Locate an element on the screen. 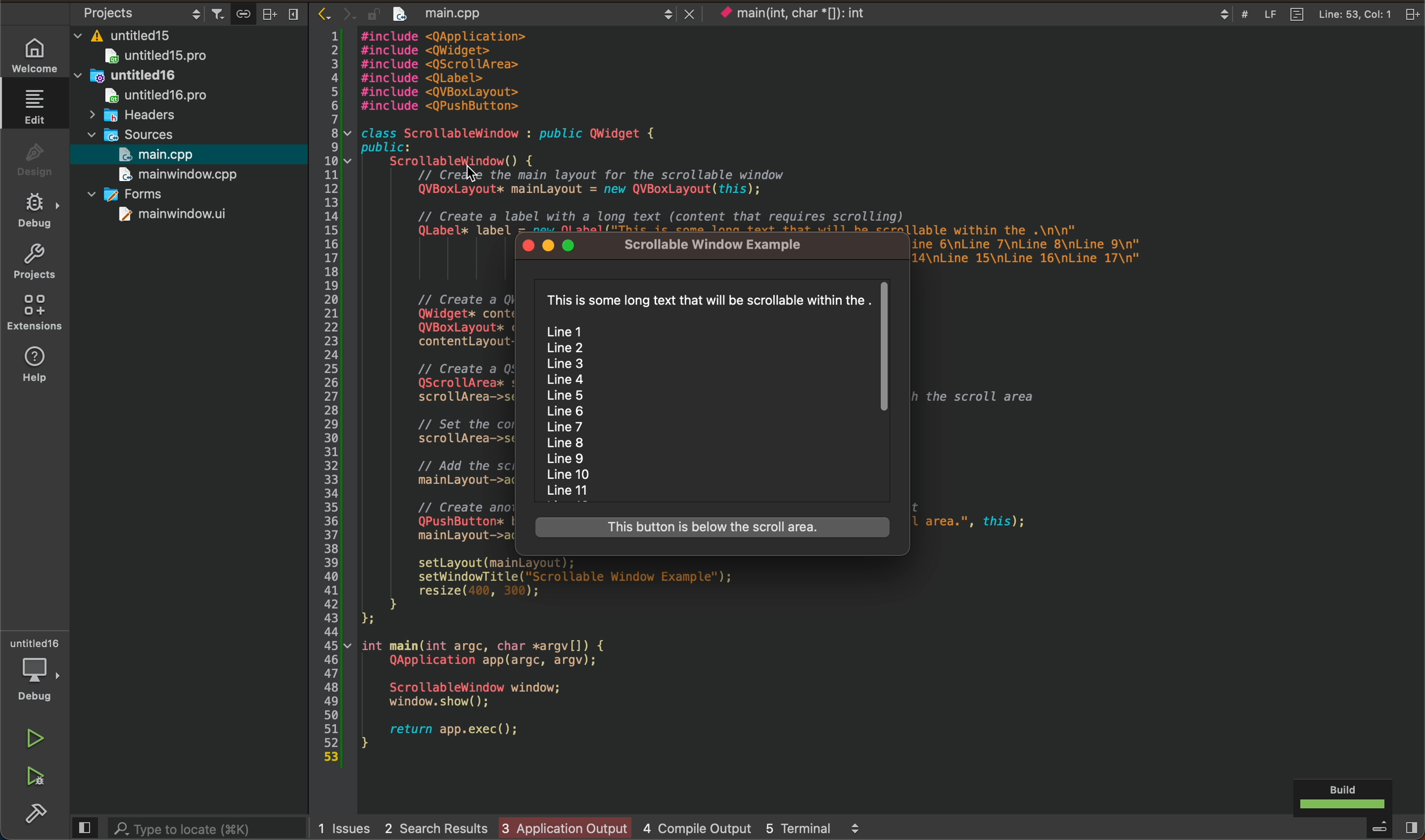 Image resolution: width=1425 pixels, height=840 pixels. sources is located at coordinates (140, 133).